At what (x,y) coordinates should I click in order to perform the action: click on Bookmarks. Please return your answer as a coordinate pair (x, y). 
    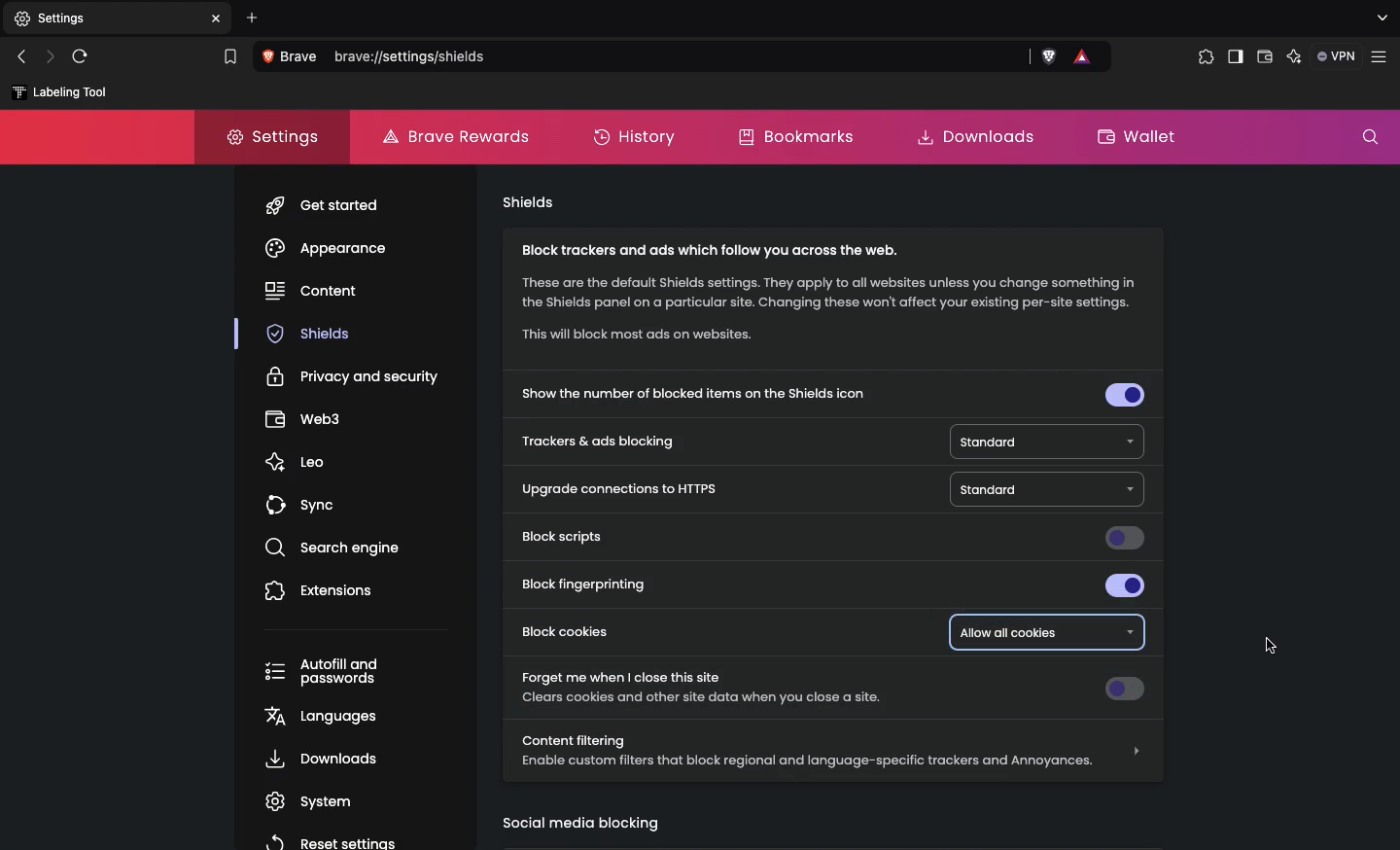
    Looking at the image, I should click on (802, 135).